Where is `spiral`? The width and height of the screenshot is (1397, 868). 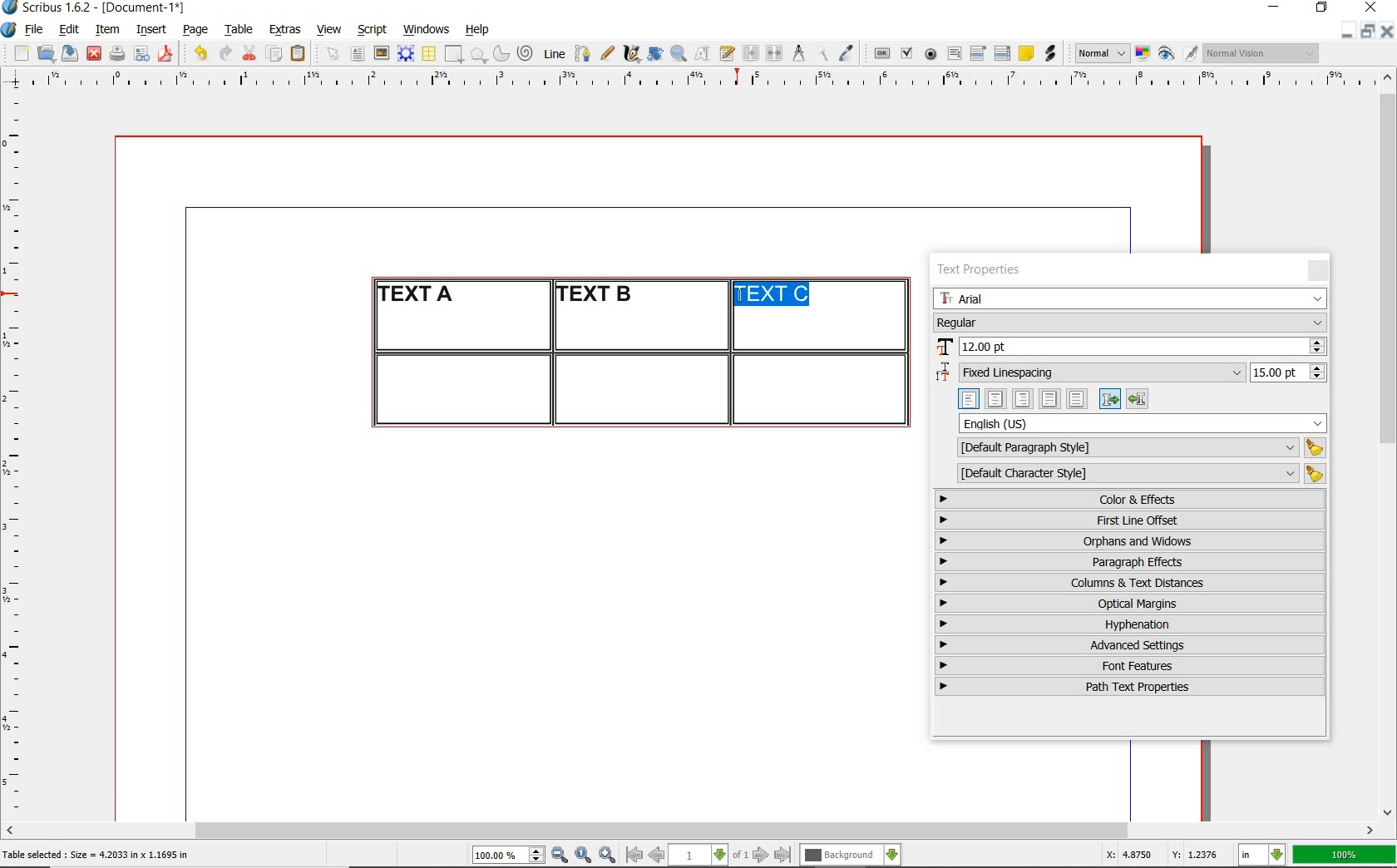 spiral is located at coordinates (526, 53).